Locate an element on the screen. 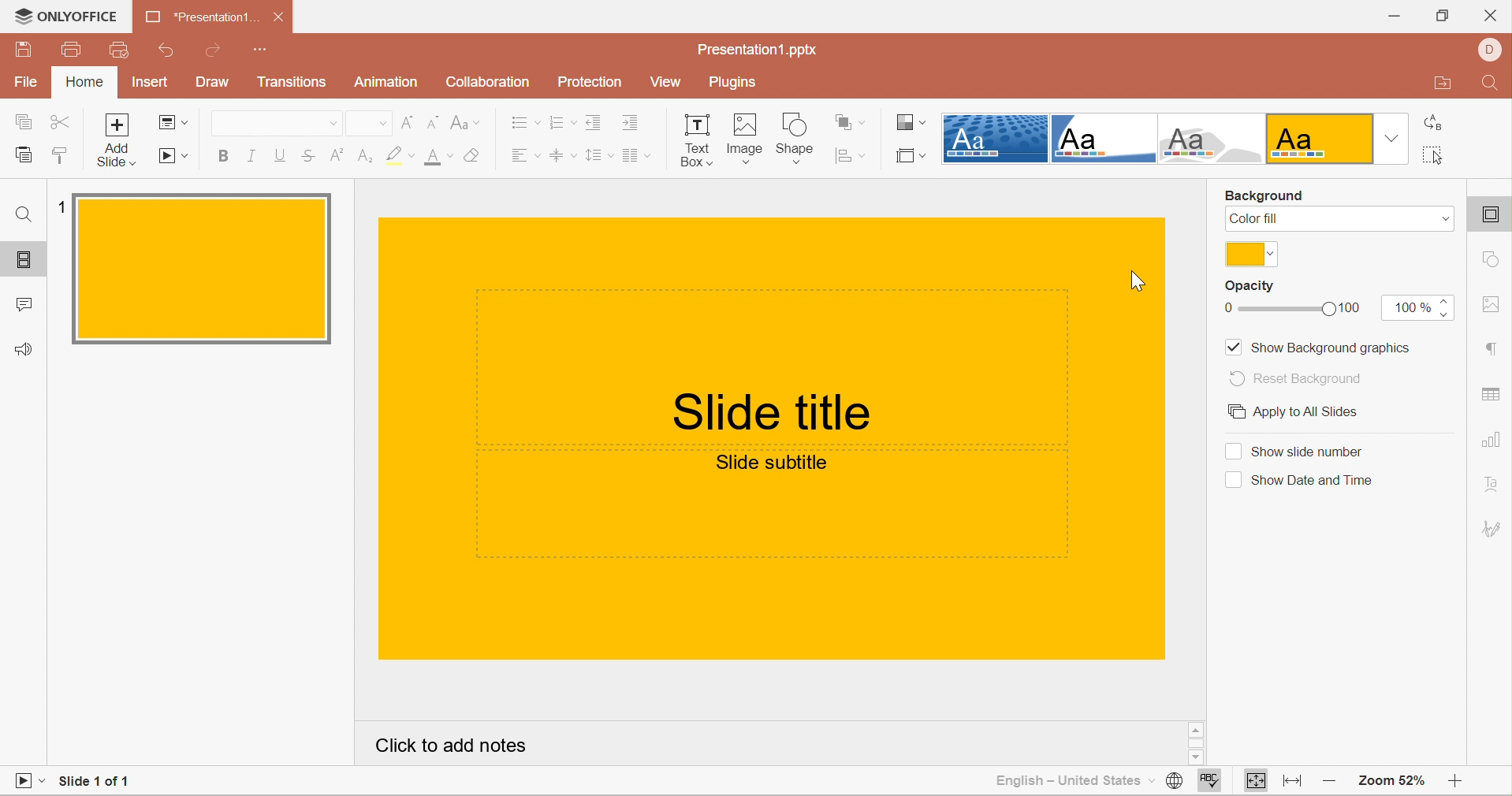  Zoom out is located at coordinates (1331, 783).